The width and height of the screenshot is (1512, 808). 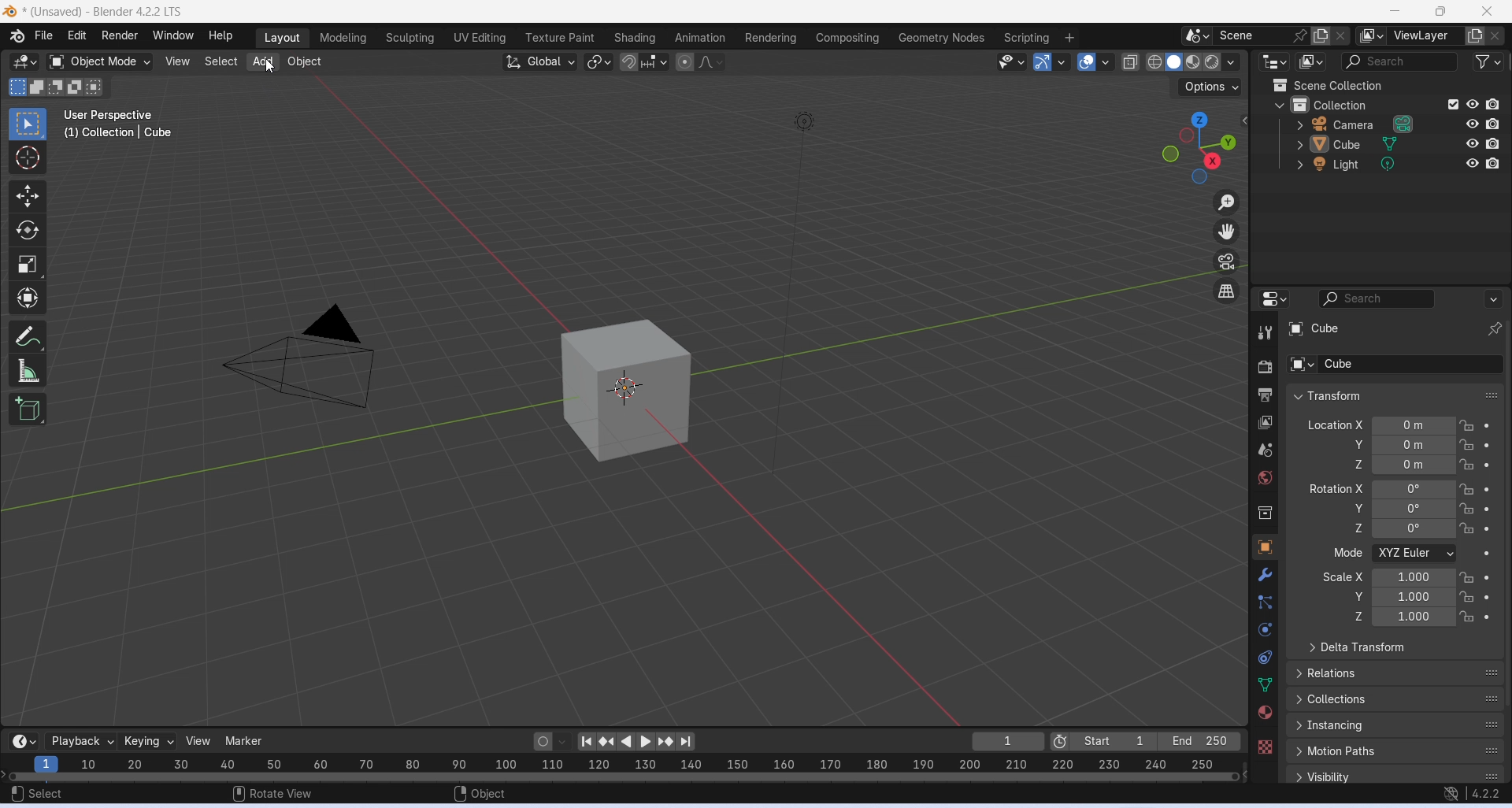 I want to click on Cursor, so click(x=27, y=158).